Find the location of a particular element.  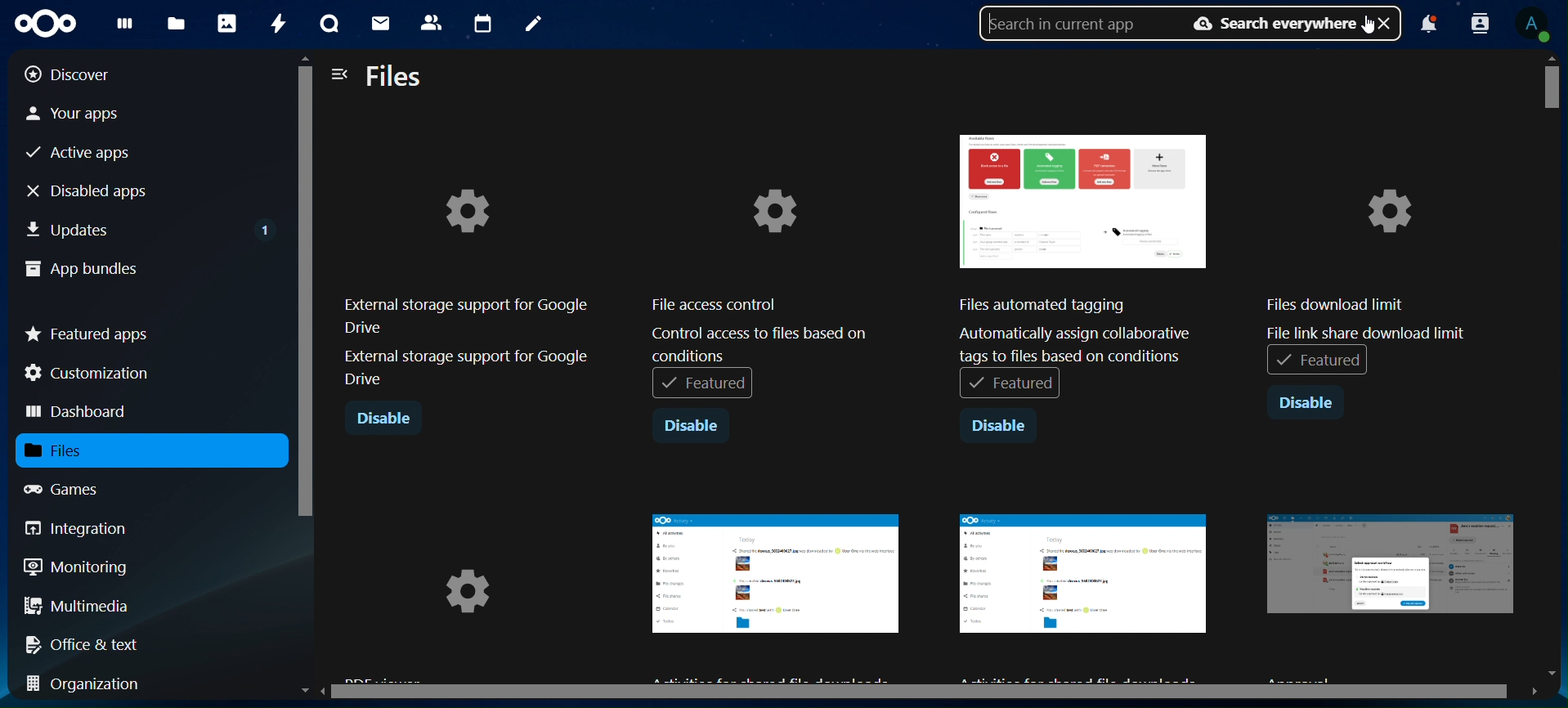

app bundles is located at coordinates (82, 271).